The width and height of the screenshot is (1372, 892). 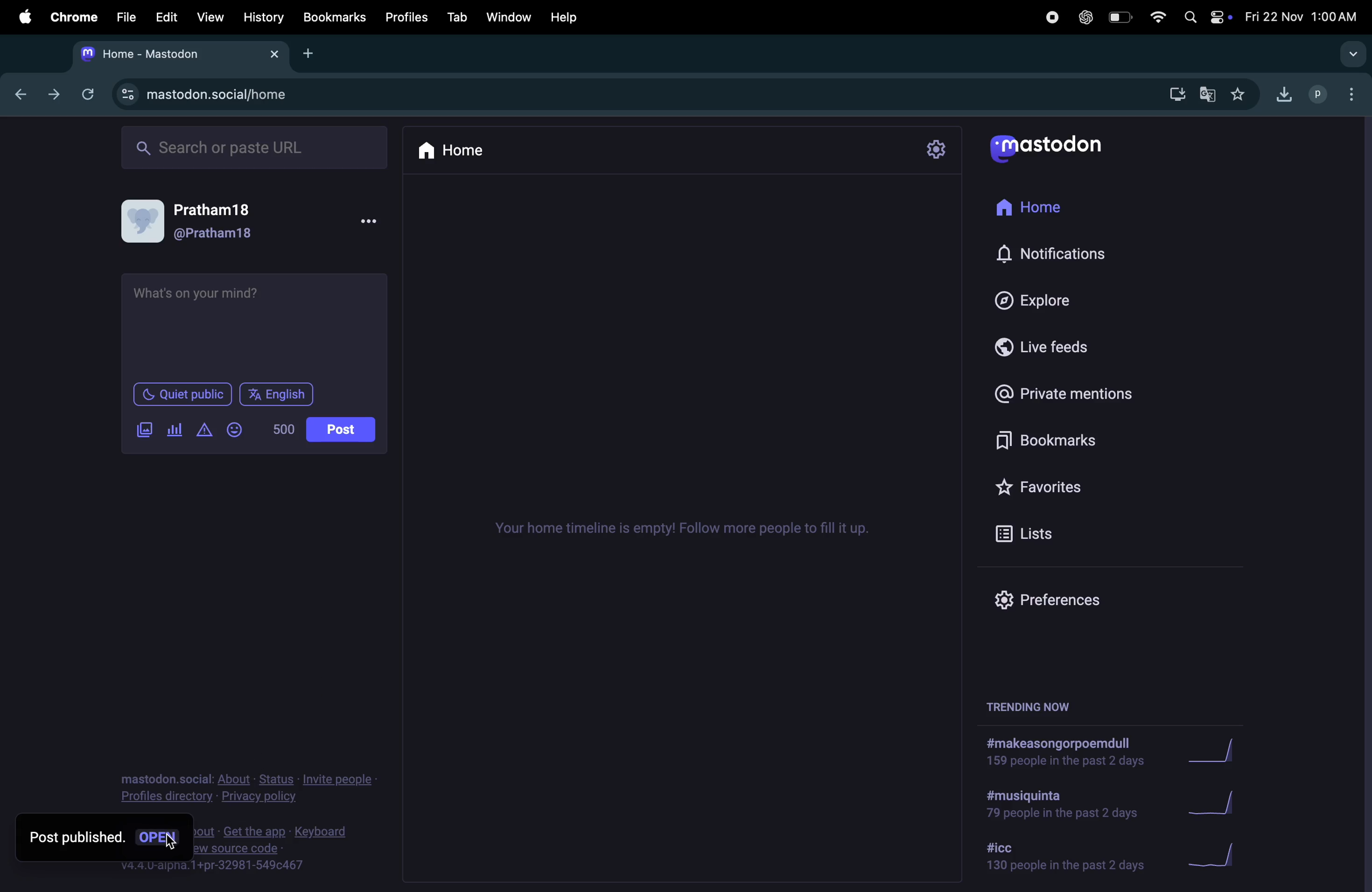 What do you see at coordinates (307, 54) in the screenshot?
I see `new tab` at bounding box center [307, 54].